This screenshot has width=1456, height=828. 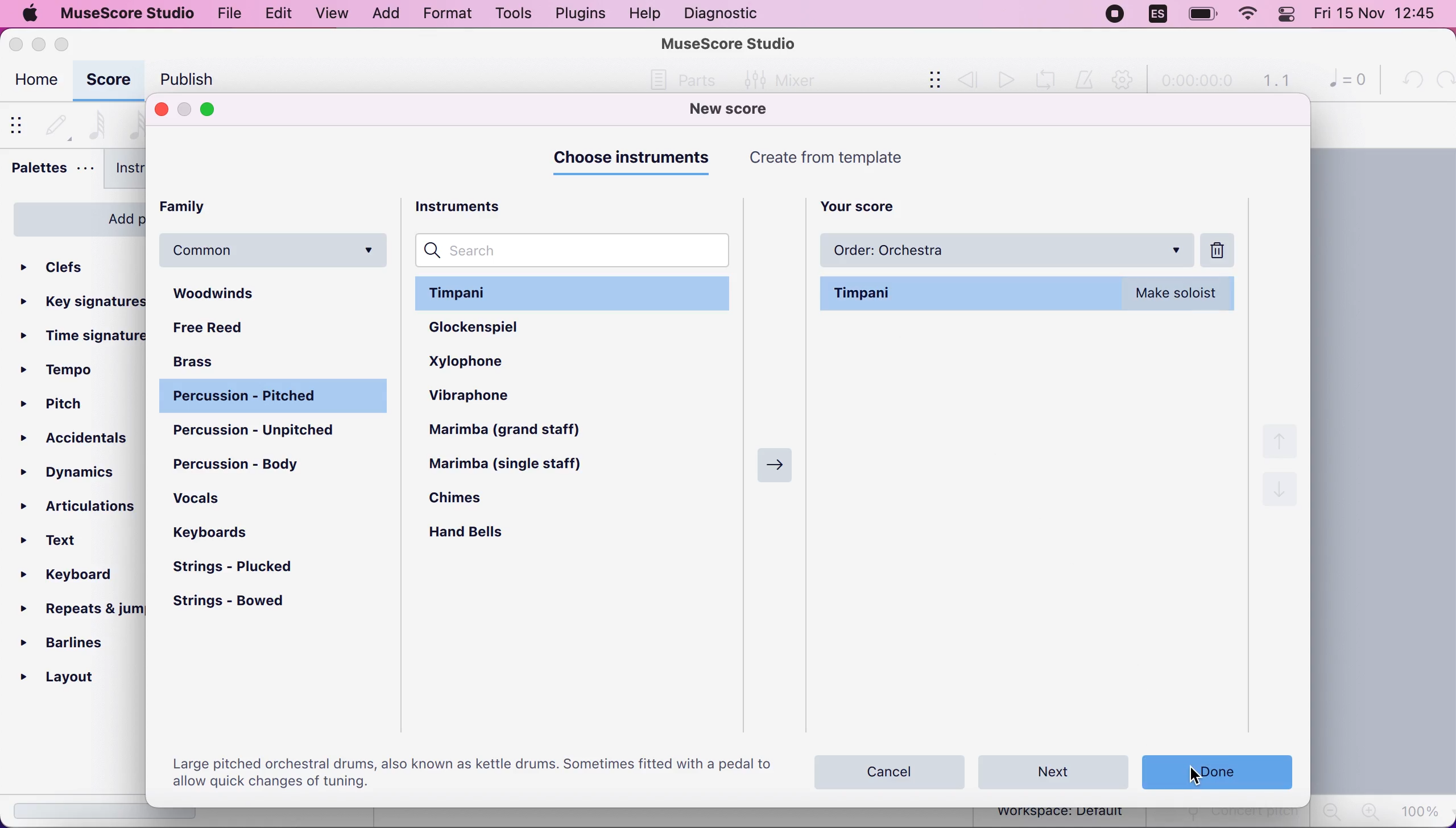 What do you see at coordinates (1368, 812) in the screenshot?
I see `zoom in` at bounding box center [1368, 812].